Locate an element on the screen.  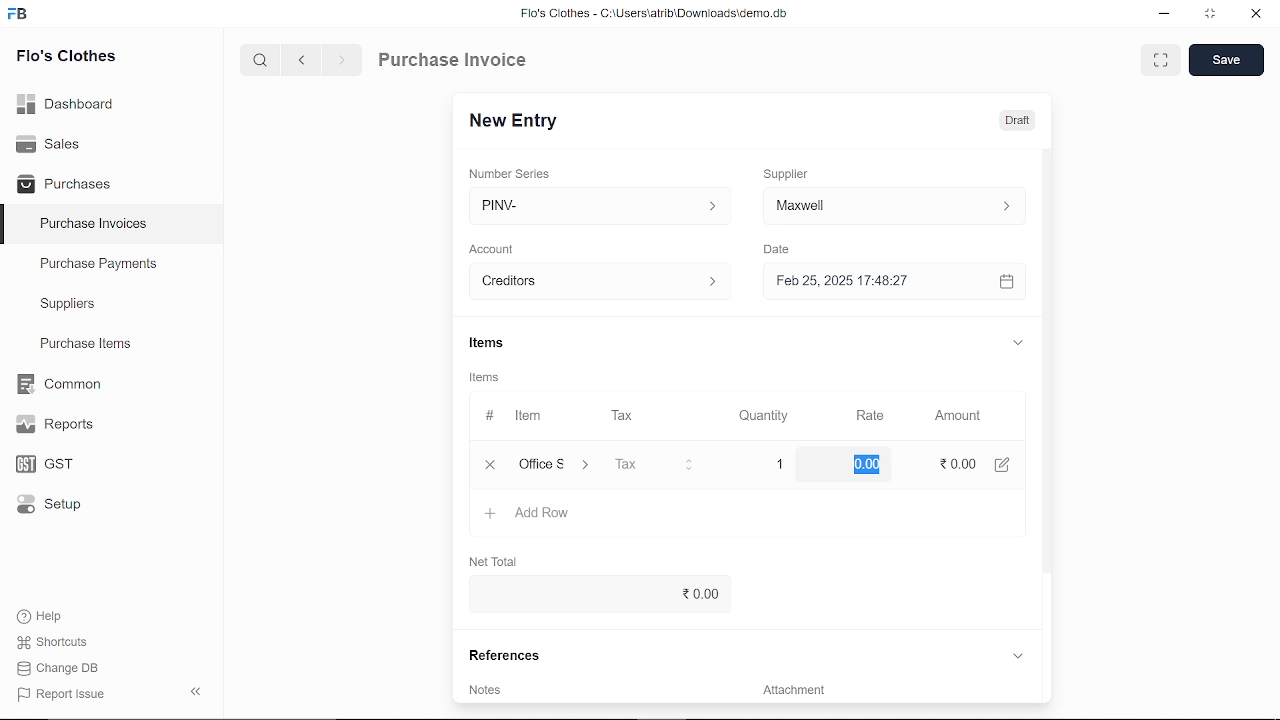
Purchases is located at coordinates (64, 182).